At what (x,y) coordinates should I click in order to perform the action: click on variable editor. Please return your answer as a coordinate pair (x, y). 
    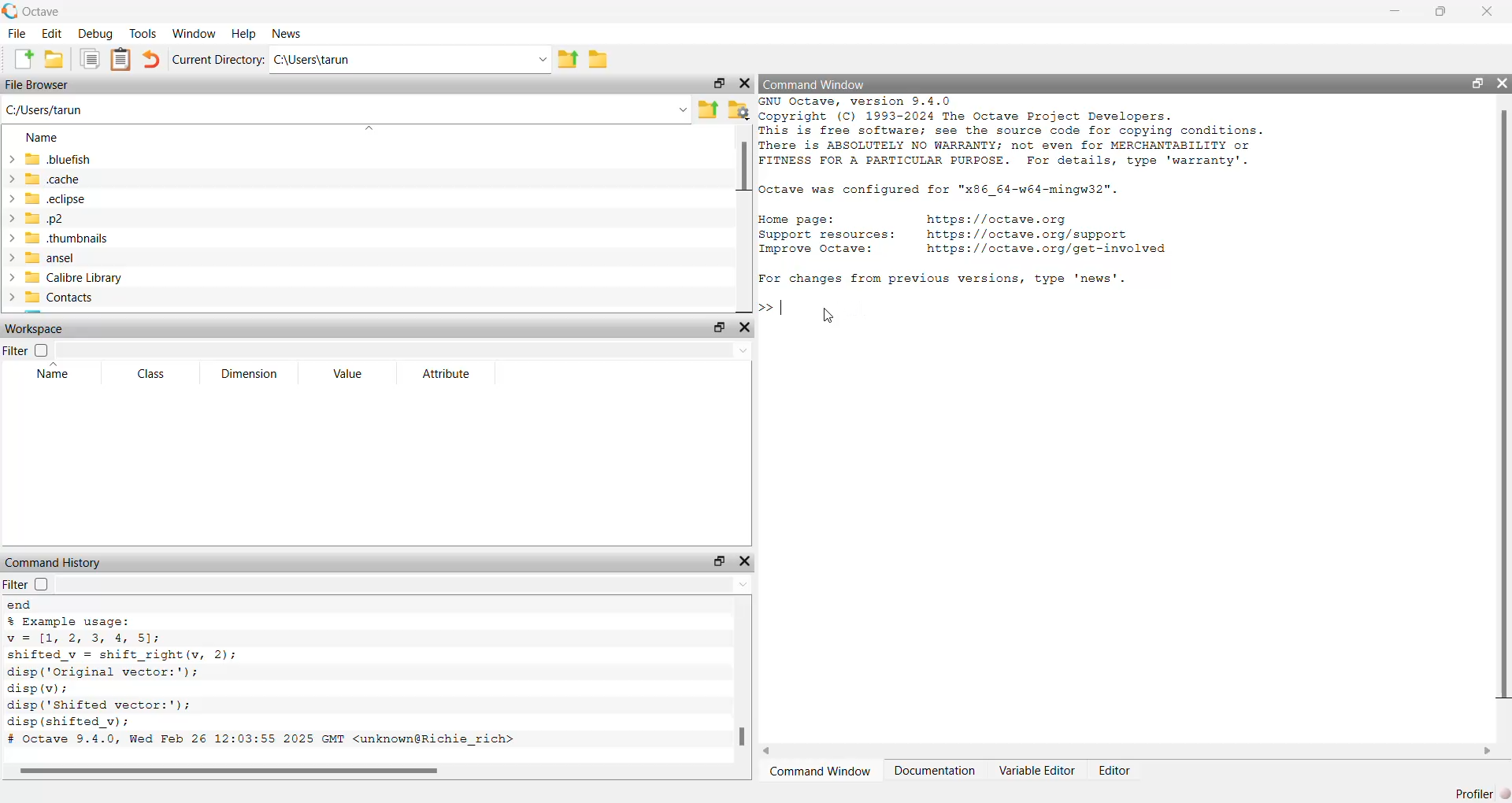
    Looking at the image, I should click on (1033, 772).